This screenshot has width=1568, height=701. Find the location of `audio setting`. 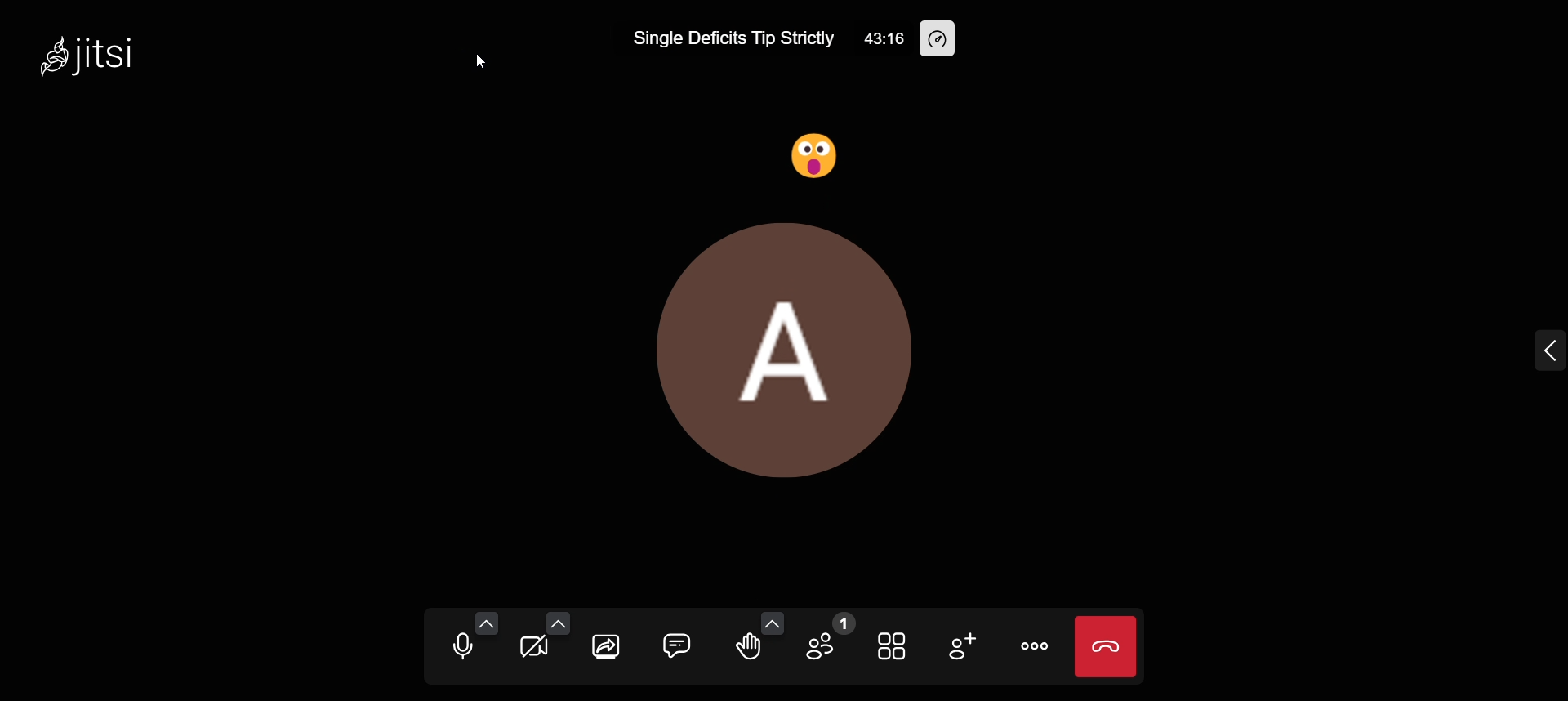

audio setting is located at coordinates (486, 623).